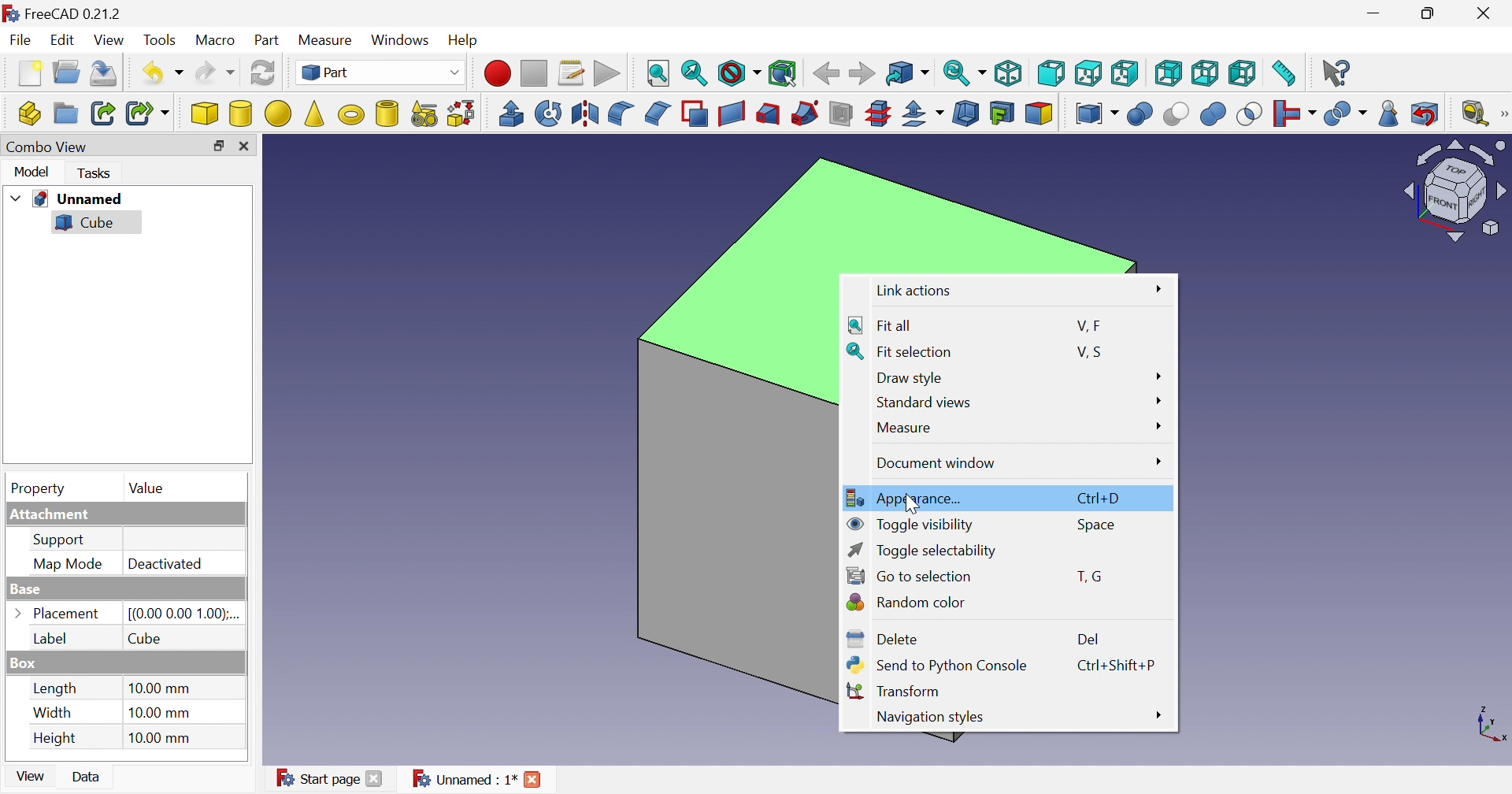  Describe the element at coordinates (329, 42) in the screenshot. I see `Measure` at that location.